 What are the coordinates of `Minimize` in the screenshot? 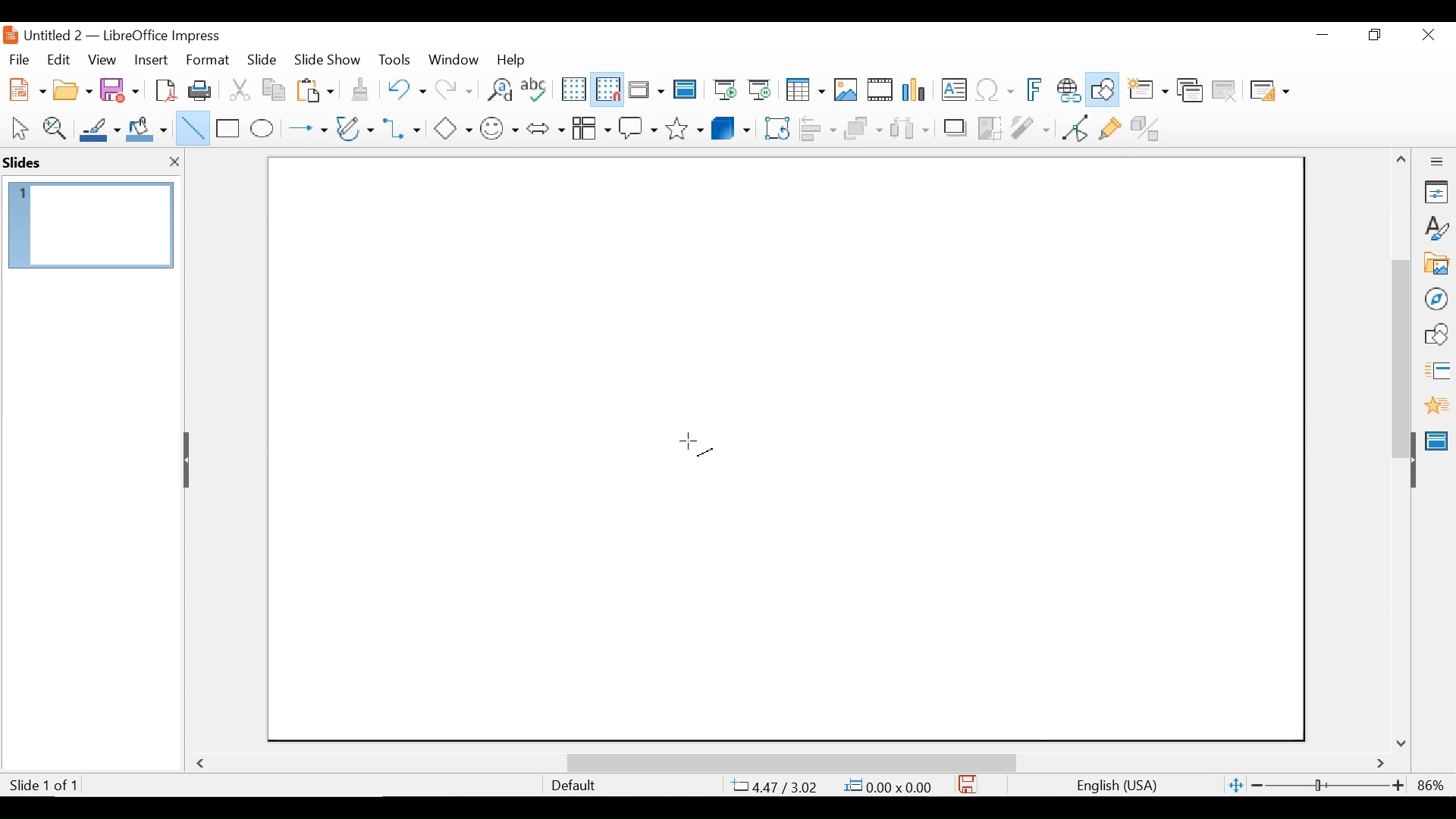 It's located at (1321, 35).